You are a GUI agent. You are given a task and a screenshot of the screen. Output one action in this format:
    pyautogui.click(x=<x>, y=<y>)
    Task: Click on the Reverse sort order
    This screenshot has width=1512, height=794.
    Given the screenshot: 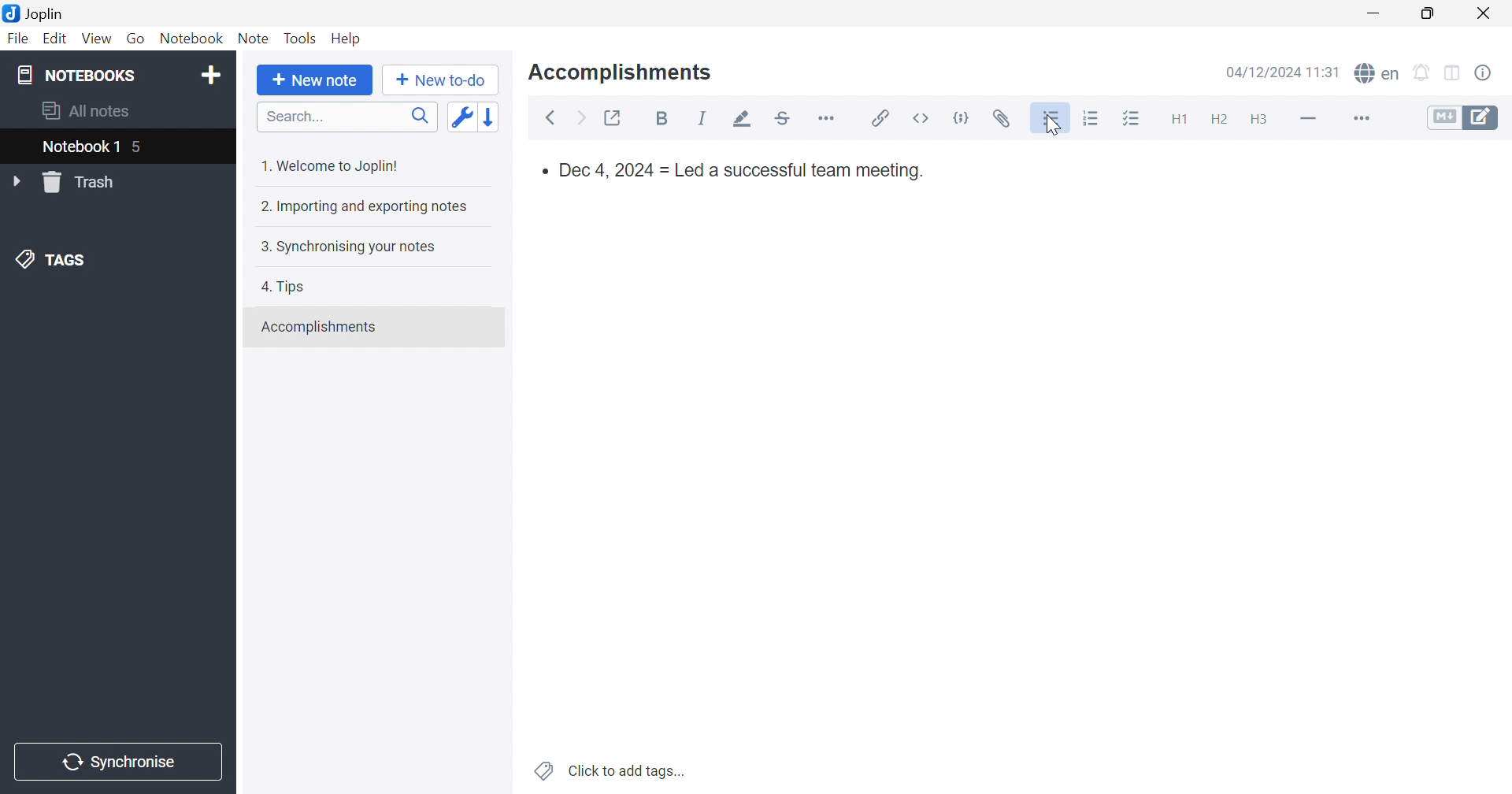 What is the action you would take?
    pyautogui.click(x=490, y=117)
    